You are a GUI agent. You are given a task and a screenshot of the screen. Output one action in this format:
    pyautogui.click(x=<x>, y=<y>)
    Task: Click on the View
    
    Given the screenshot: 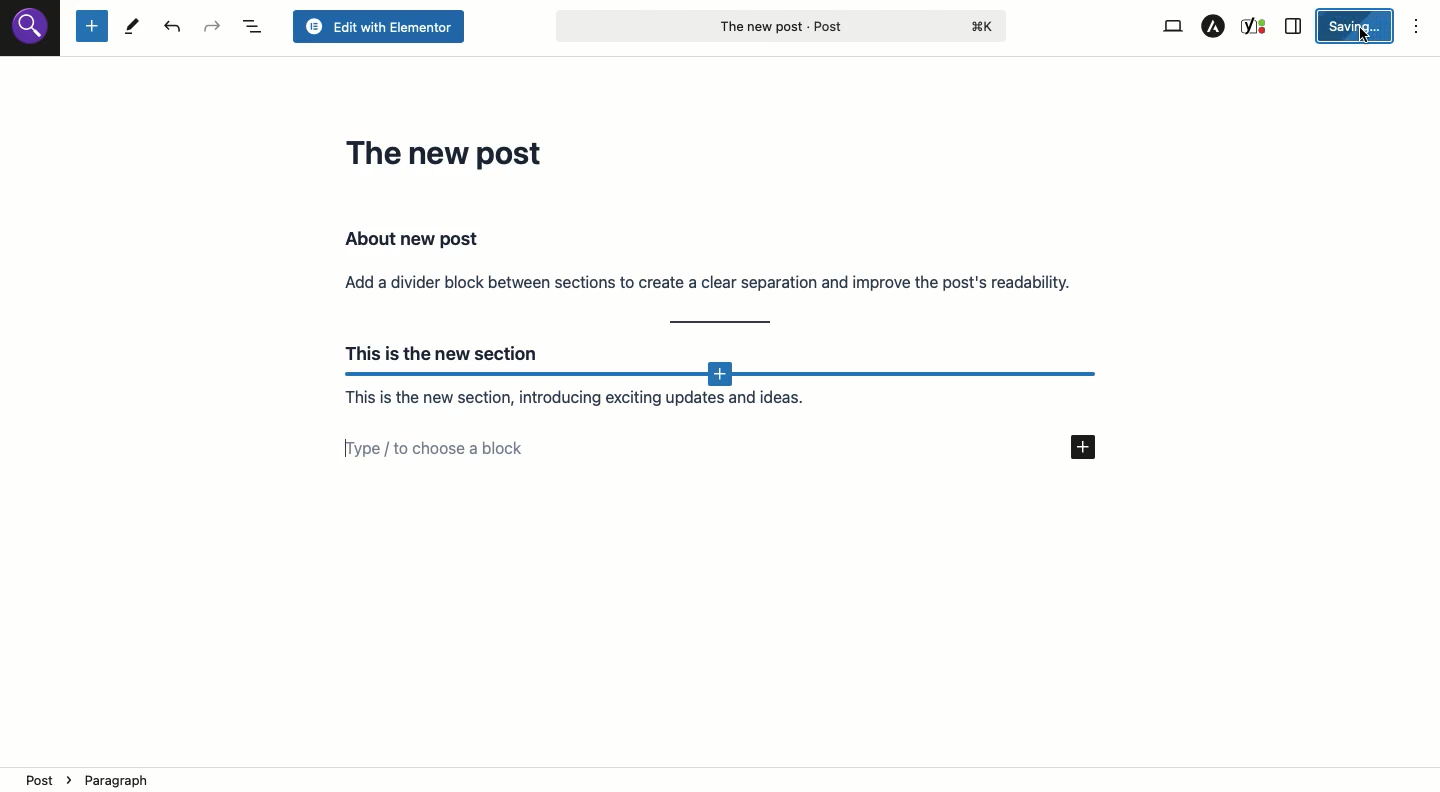 What is the action you would take?
    pyautogui.click(x=1173, y=27)
    